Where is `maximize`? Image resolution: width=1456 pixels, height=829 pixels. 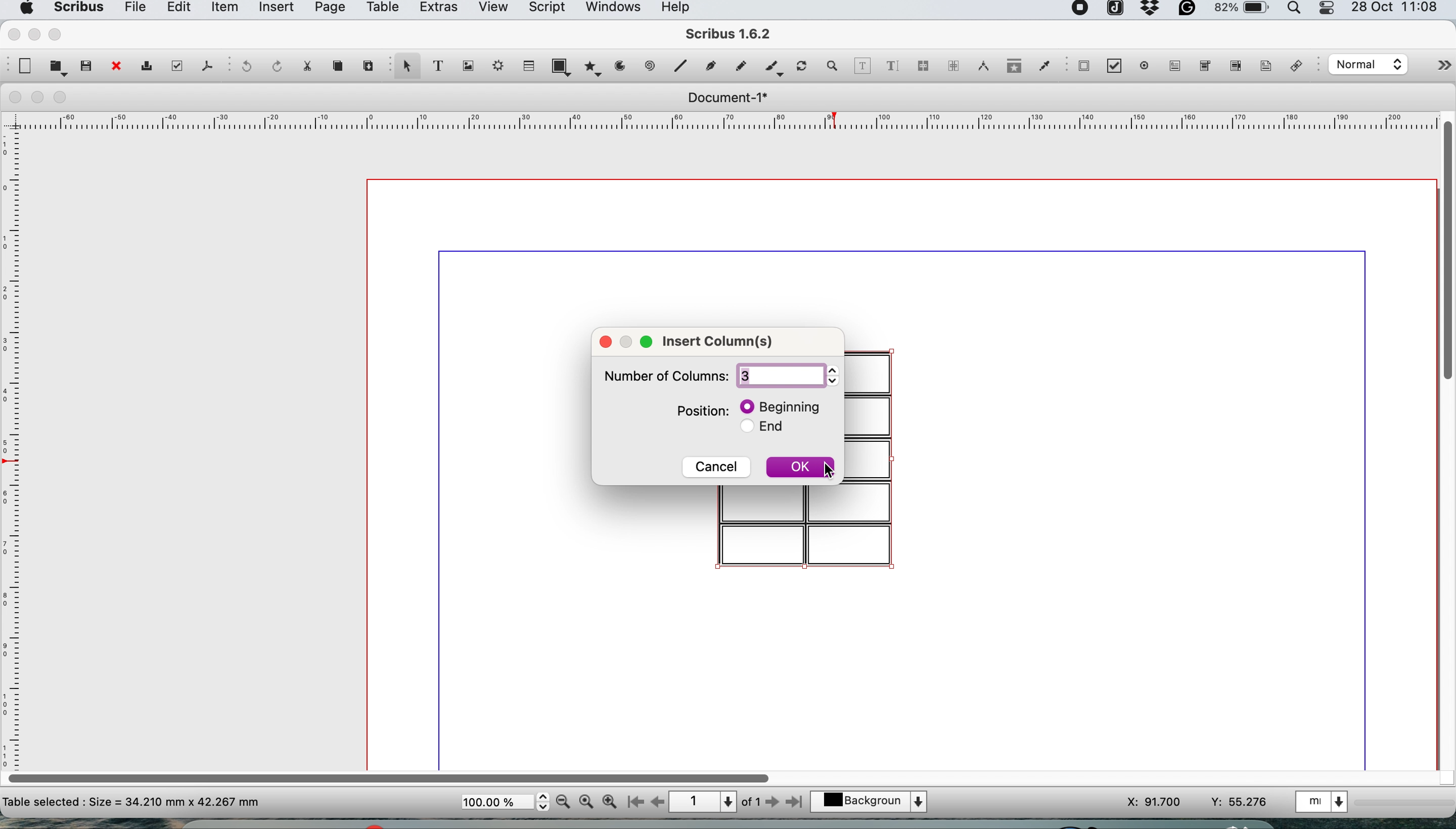
maximize is located at coordinates (649, 341).